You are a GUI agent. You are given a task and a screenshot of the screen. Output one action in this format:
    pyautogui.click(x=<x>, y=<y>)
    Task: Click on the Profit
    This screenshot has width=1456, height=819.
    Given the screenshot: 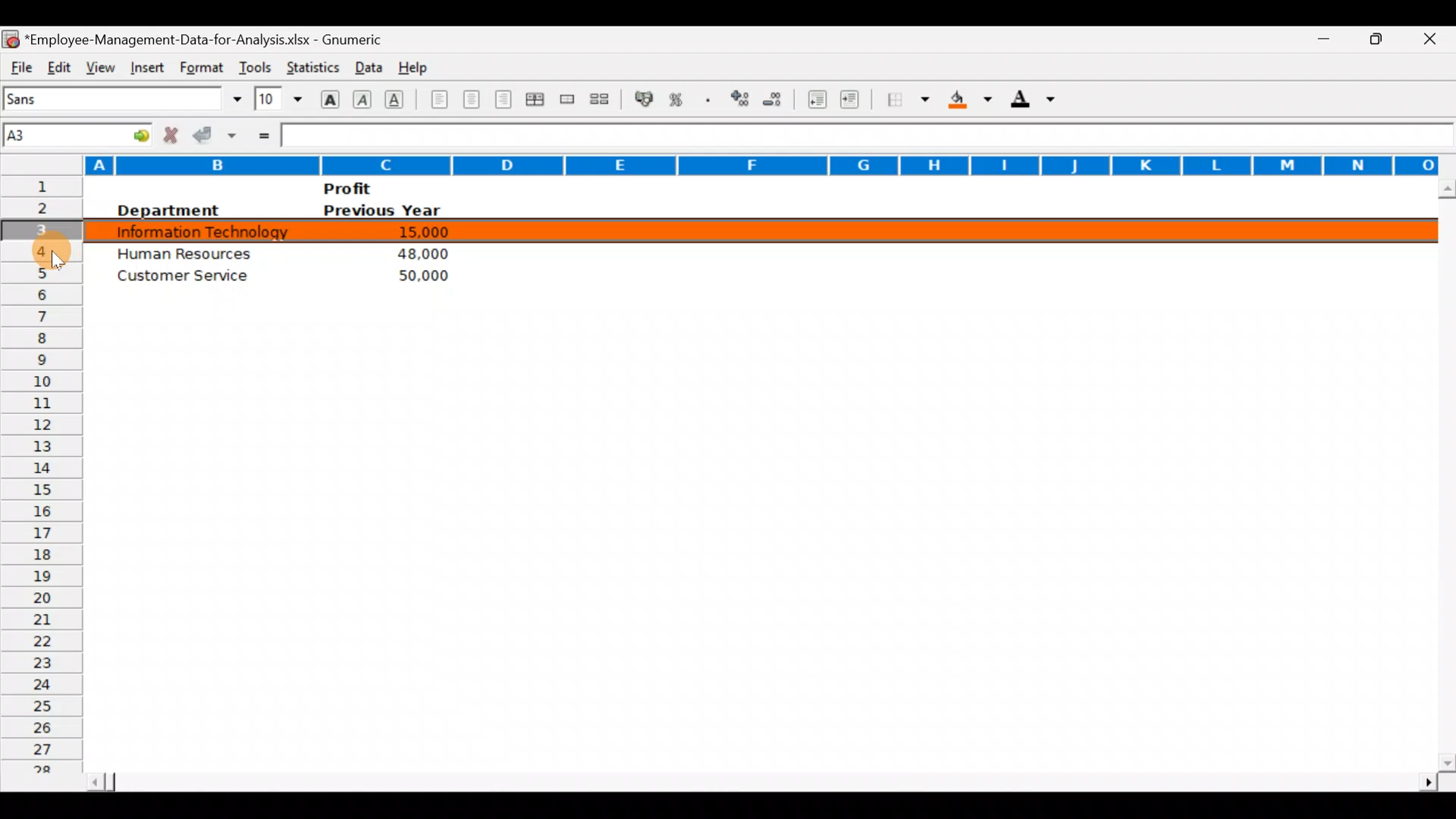 What is the action you would take?
    pyautogui.click(x=376, y=188)
    